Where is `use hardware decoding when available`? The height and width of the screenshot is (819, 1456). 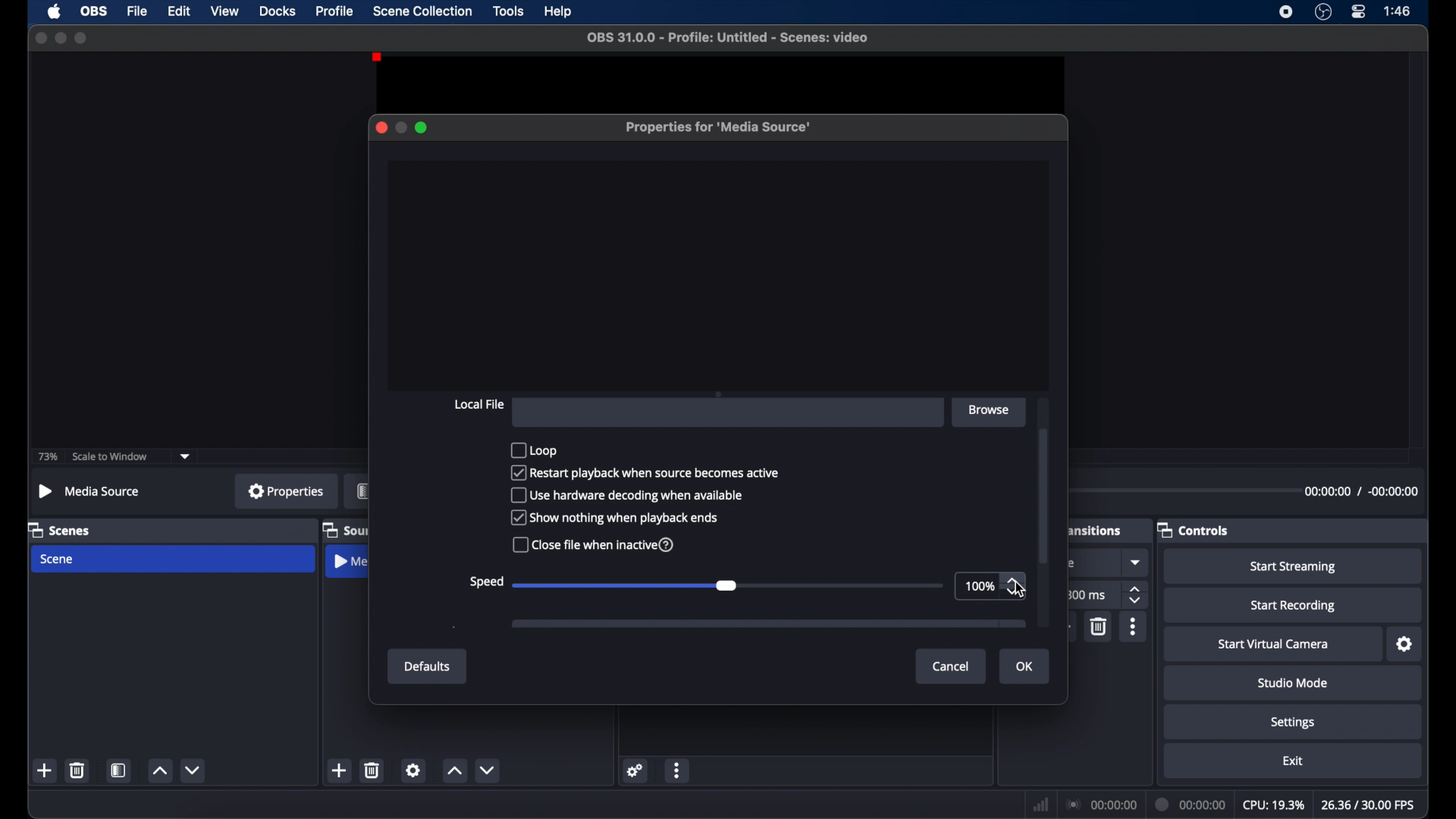
use hardware decoding when available is located at coordinates (629, 496).